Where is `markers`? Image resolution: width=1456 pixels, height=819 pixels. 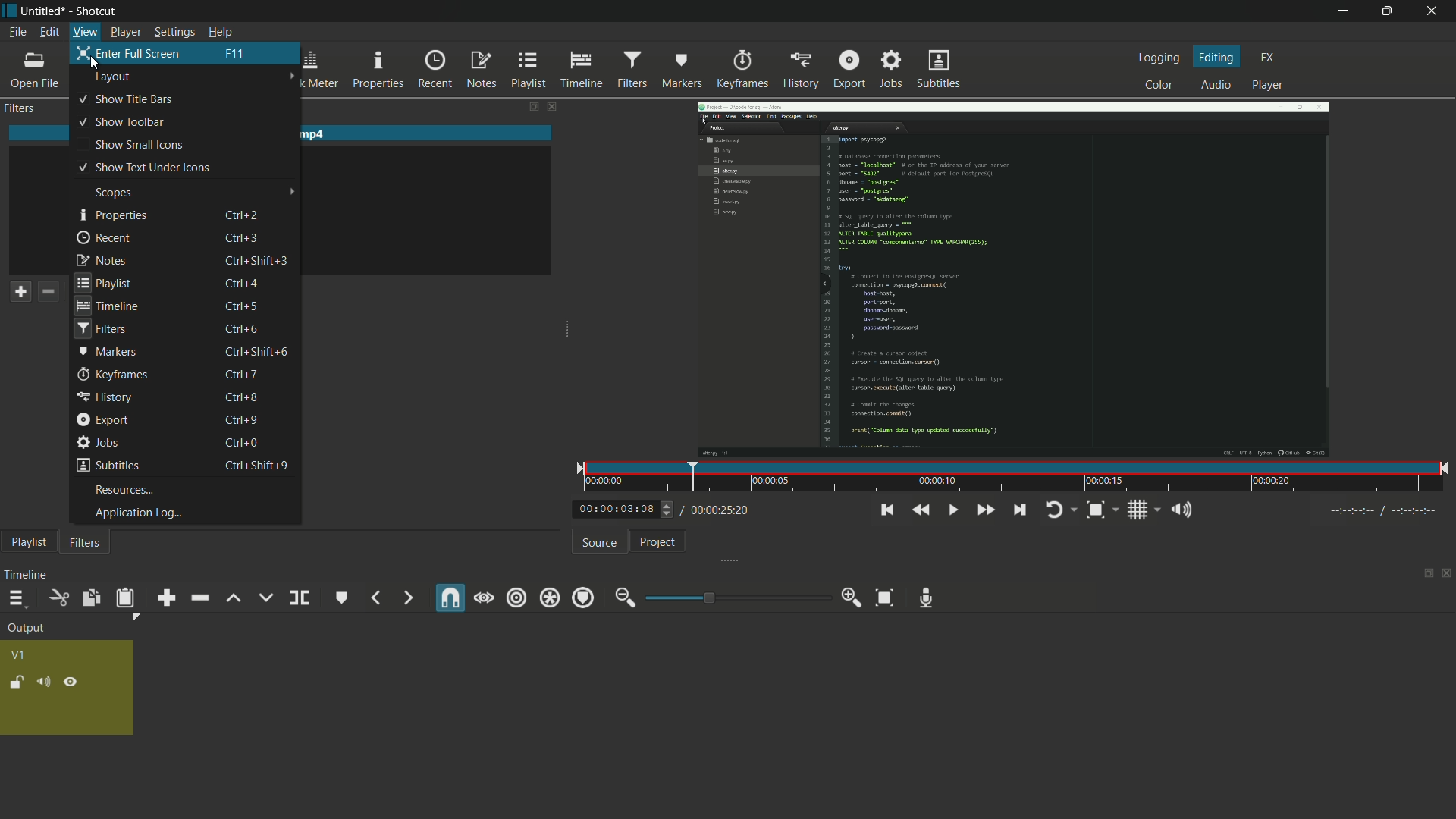 markers is located at coordinates (681, 69).